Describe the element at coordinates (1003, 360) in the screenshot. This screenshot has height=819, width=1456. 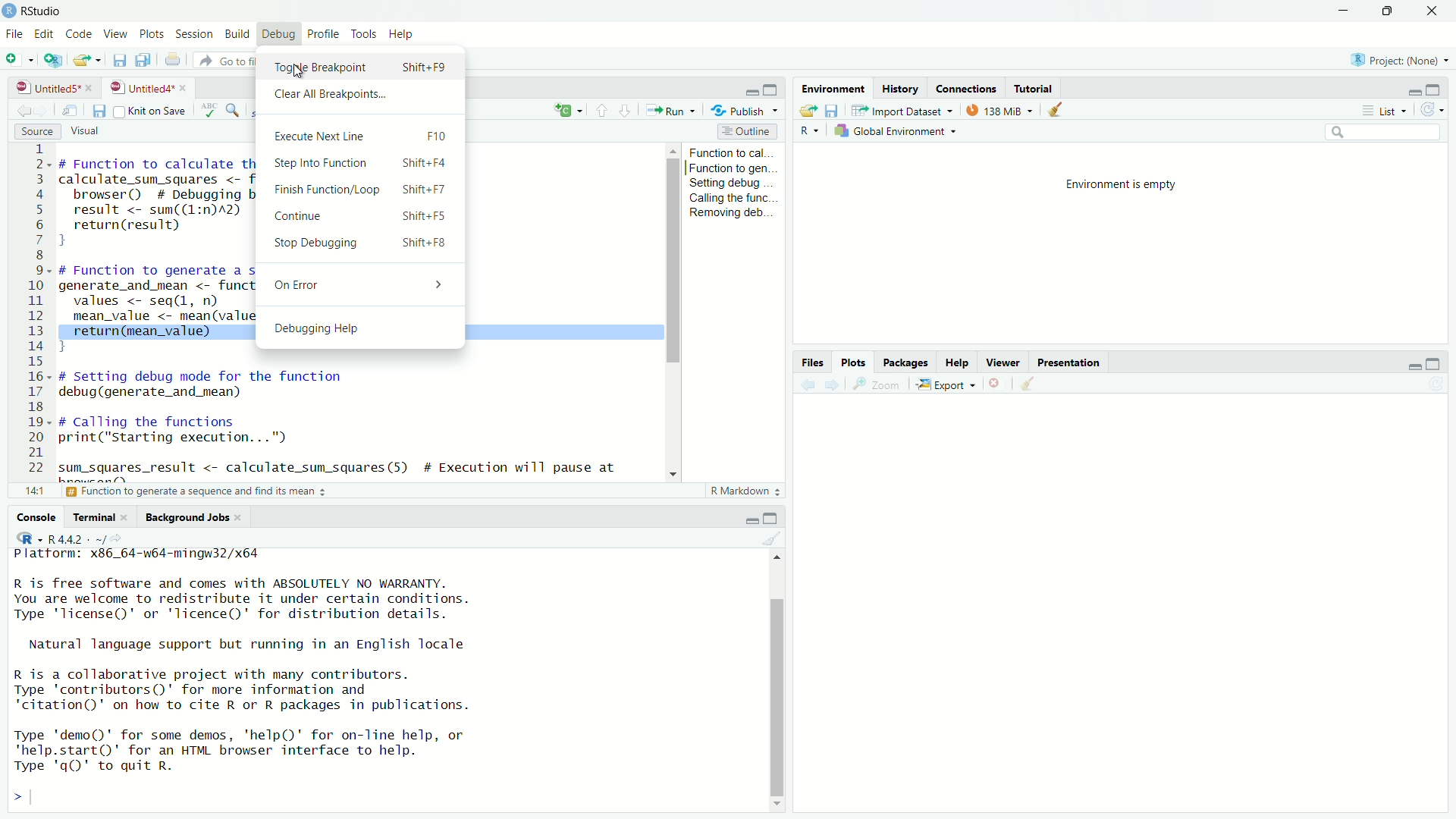
I see `viewer` at that location.